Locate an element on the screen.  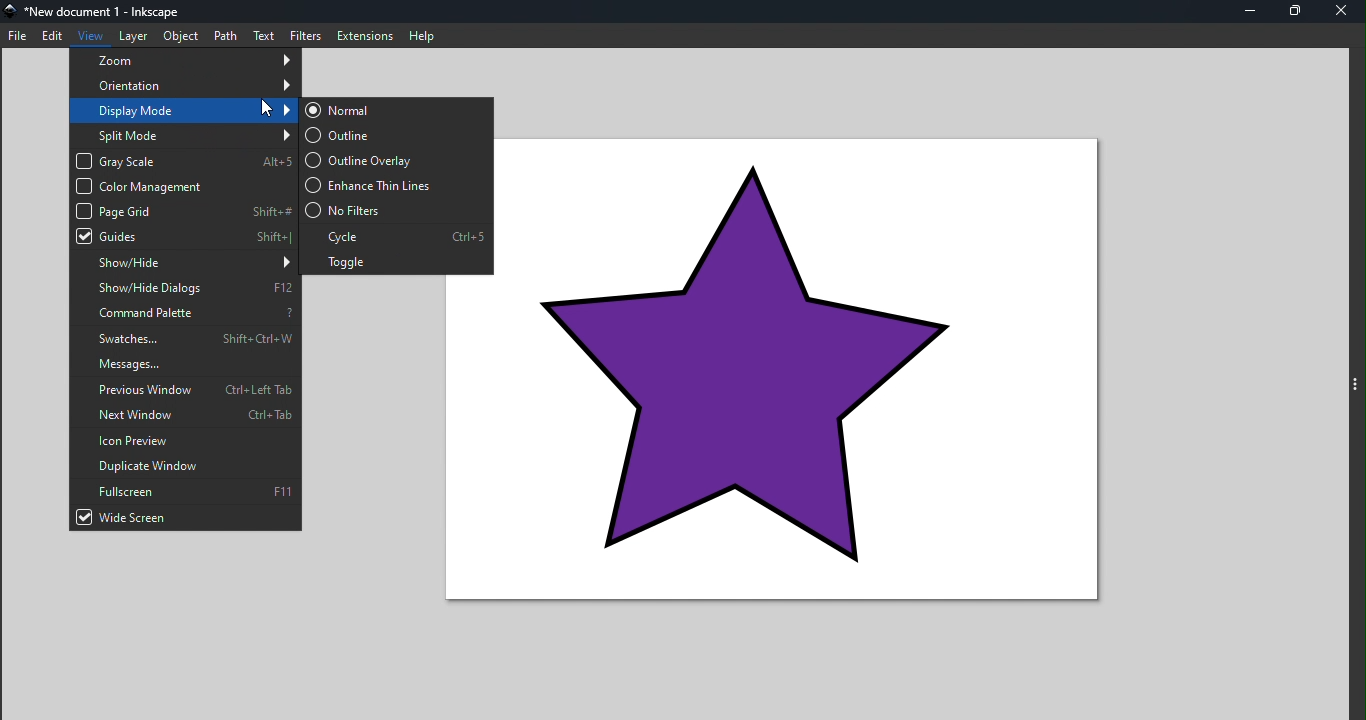
star is located at coordinates (800, 370).